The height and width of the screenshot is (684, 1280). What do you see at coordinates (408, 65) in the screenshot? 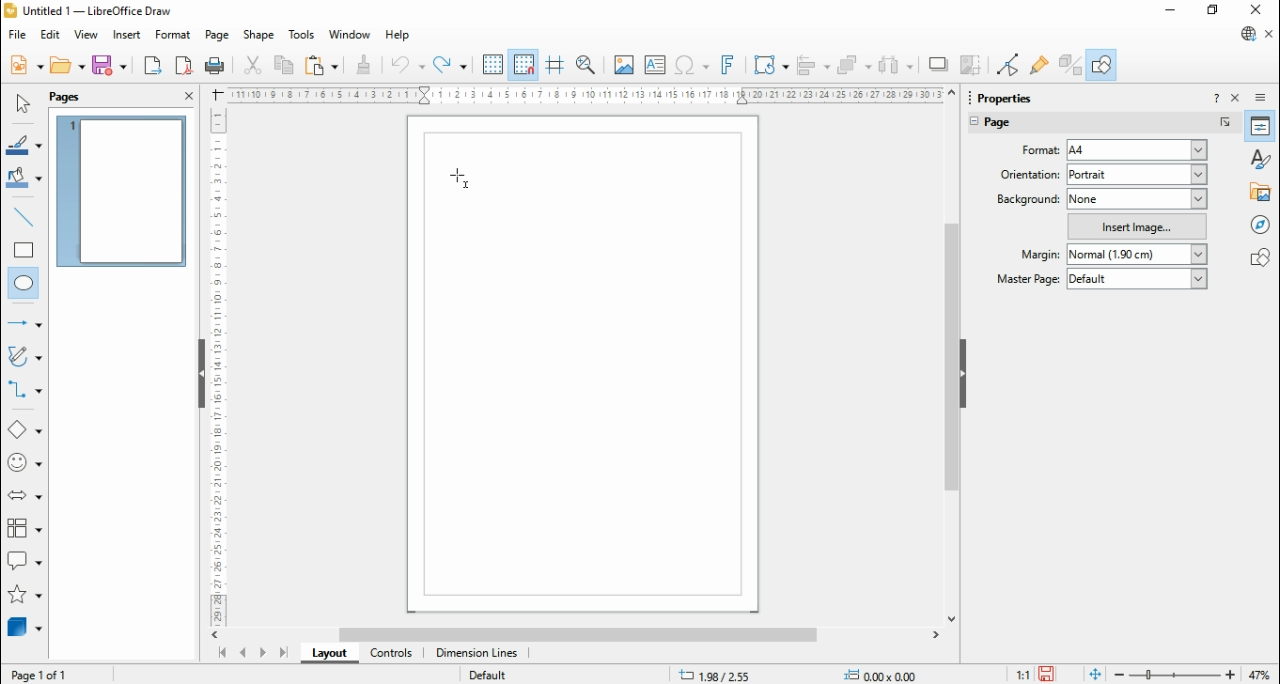
I see `undo` at bounding box center [408, 65].